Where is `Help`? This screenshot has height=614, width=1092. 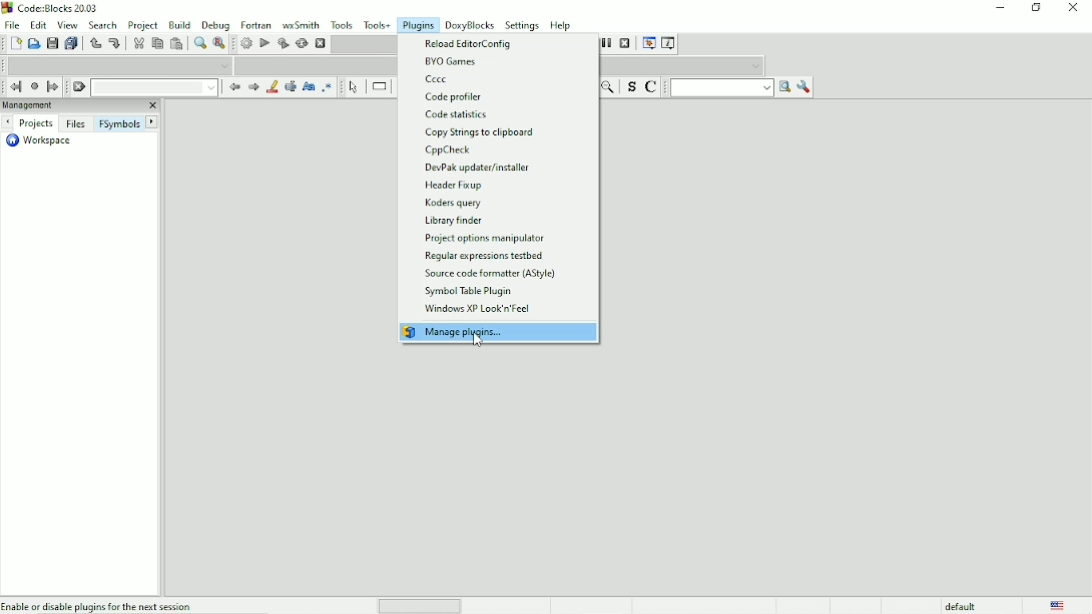
Help is located at coordinates (561, 24).